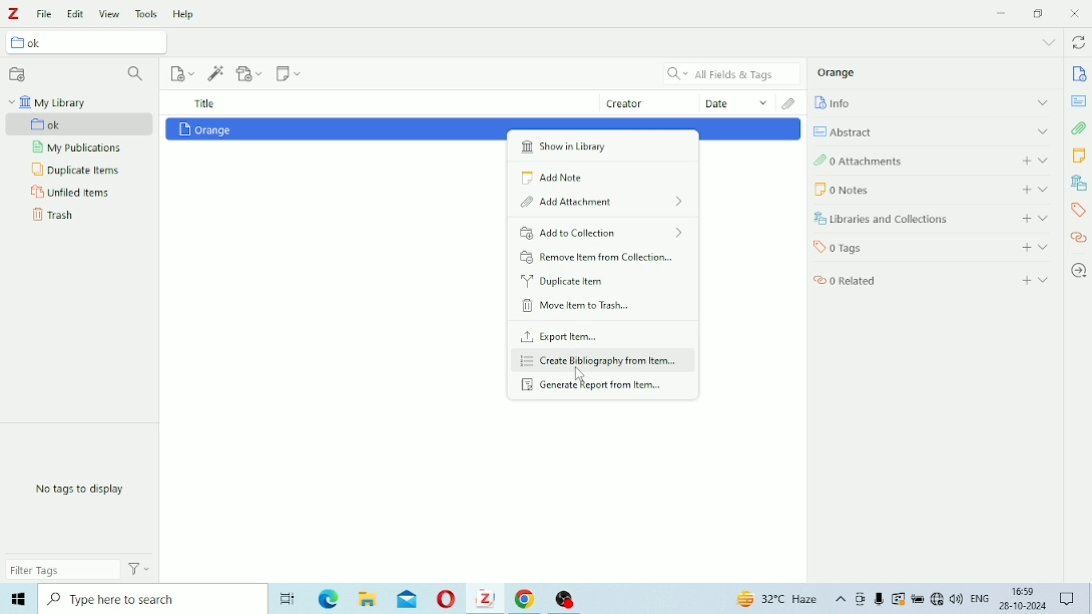  What do you see at coordinates (957, 599) in the screenshot?
I see `Speakers` at bounding box center [957, 599].